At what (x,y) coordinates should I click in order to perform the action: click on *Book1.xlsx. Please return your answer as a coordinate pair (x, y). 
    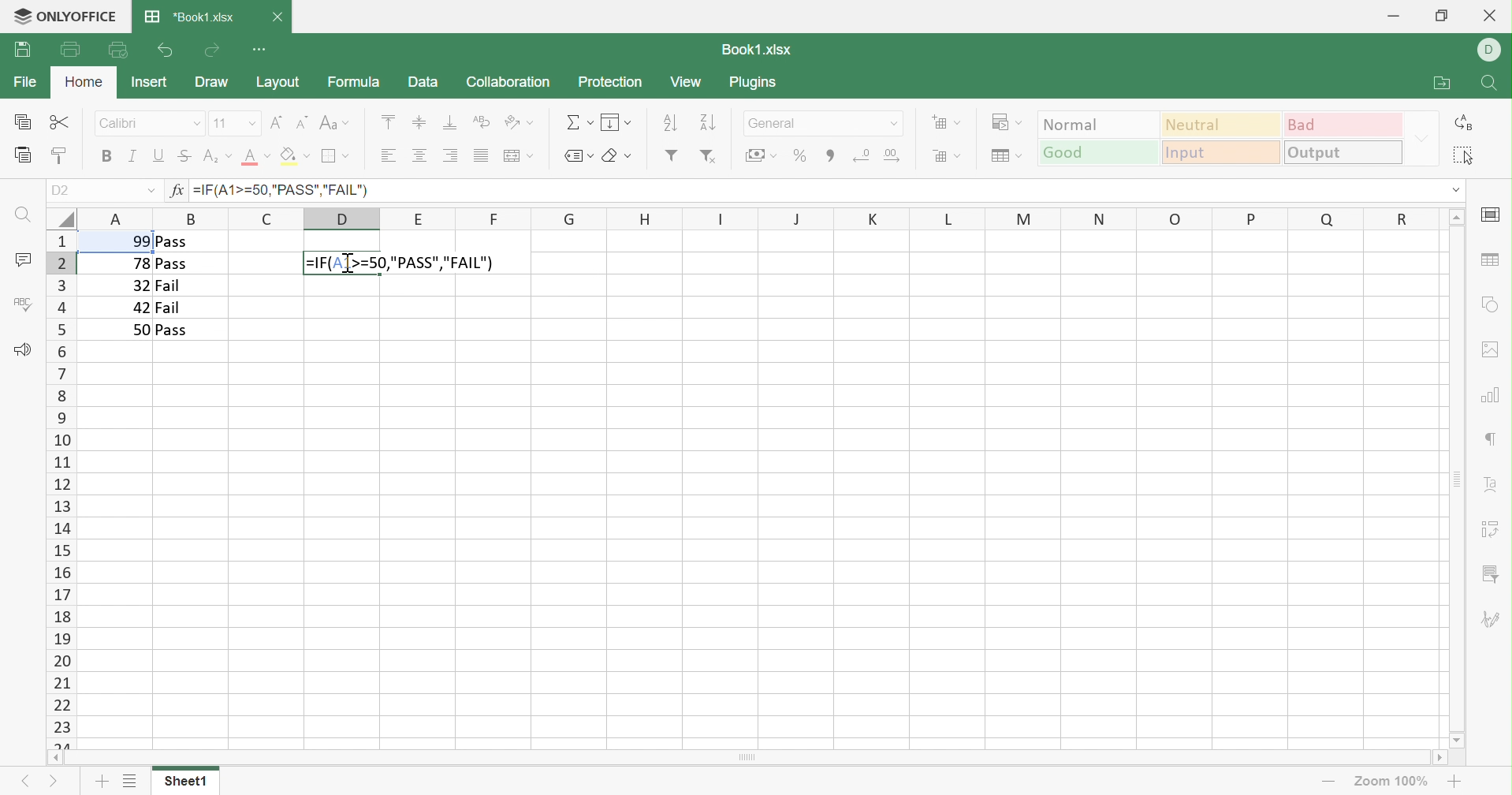
    Looking at the image, I should click on (189, 16).